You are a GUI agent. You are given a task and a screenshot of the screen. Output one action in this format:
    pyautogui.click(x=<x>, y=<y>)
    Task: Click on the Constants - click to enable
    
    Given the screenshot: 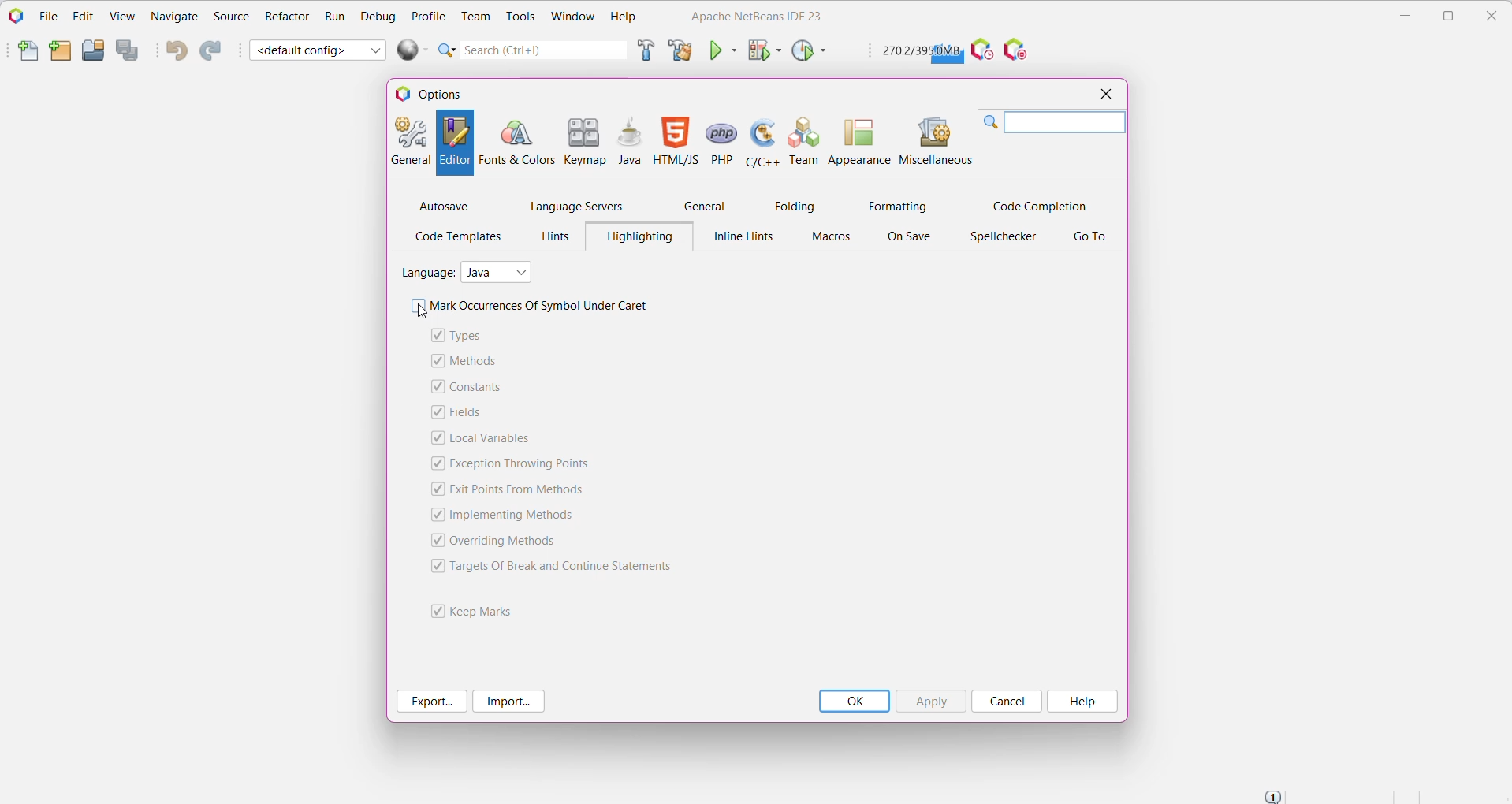 What is the action you would take?
    pyautogui.click(x=482, y=388)
    